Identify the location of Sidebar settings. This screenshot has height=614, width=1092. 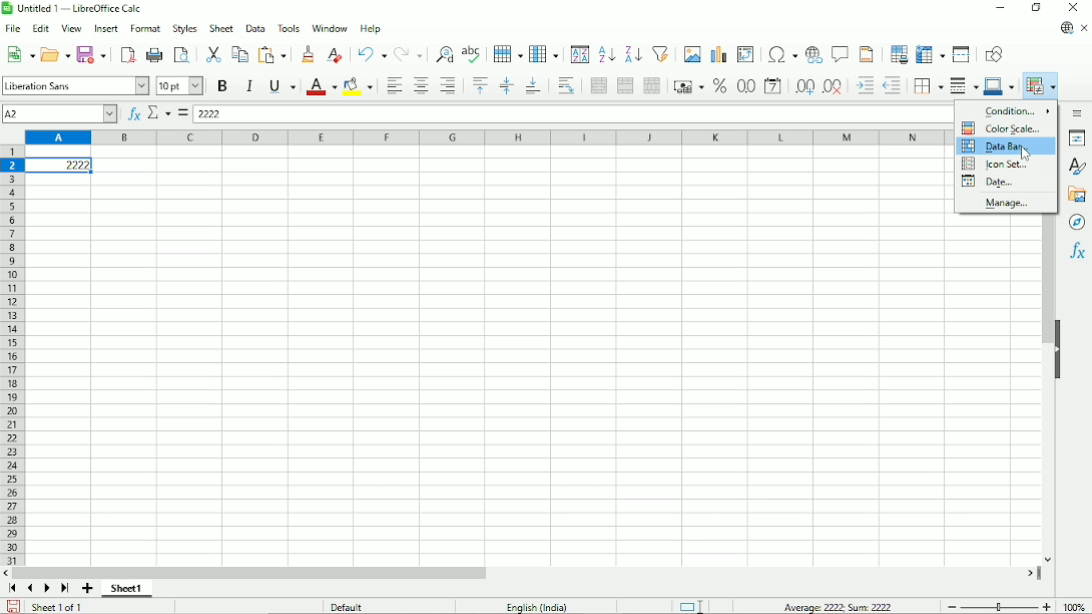
(1079, 113).